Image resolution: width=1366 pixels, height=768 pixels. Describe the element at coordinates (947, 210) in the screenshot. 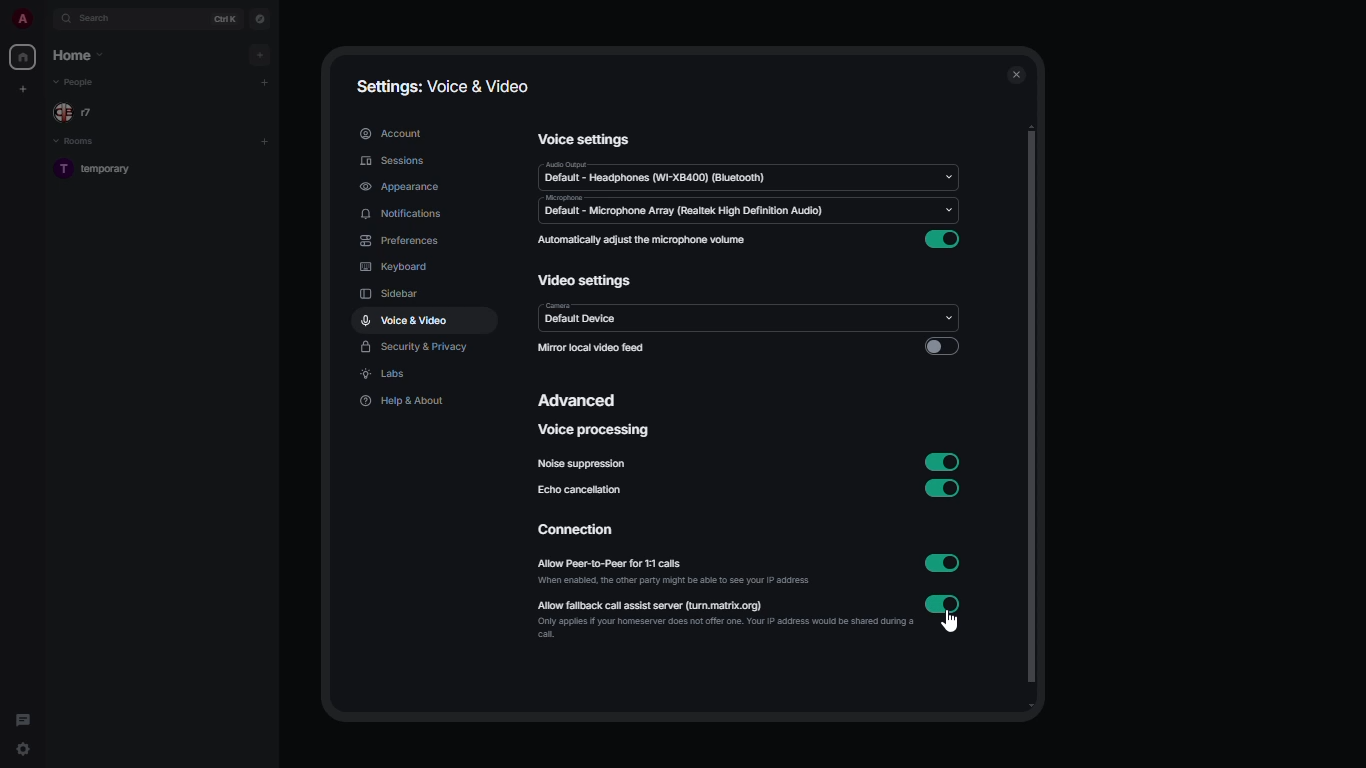

I see `drop down` at that location.